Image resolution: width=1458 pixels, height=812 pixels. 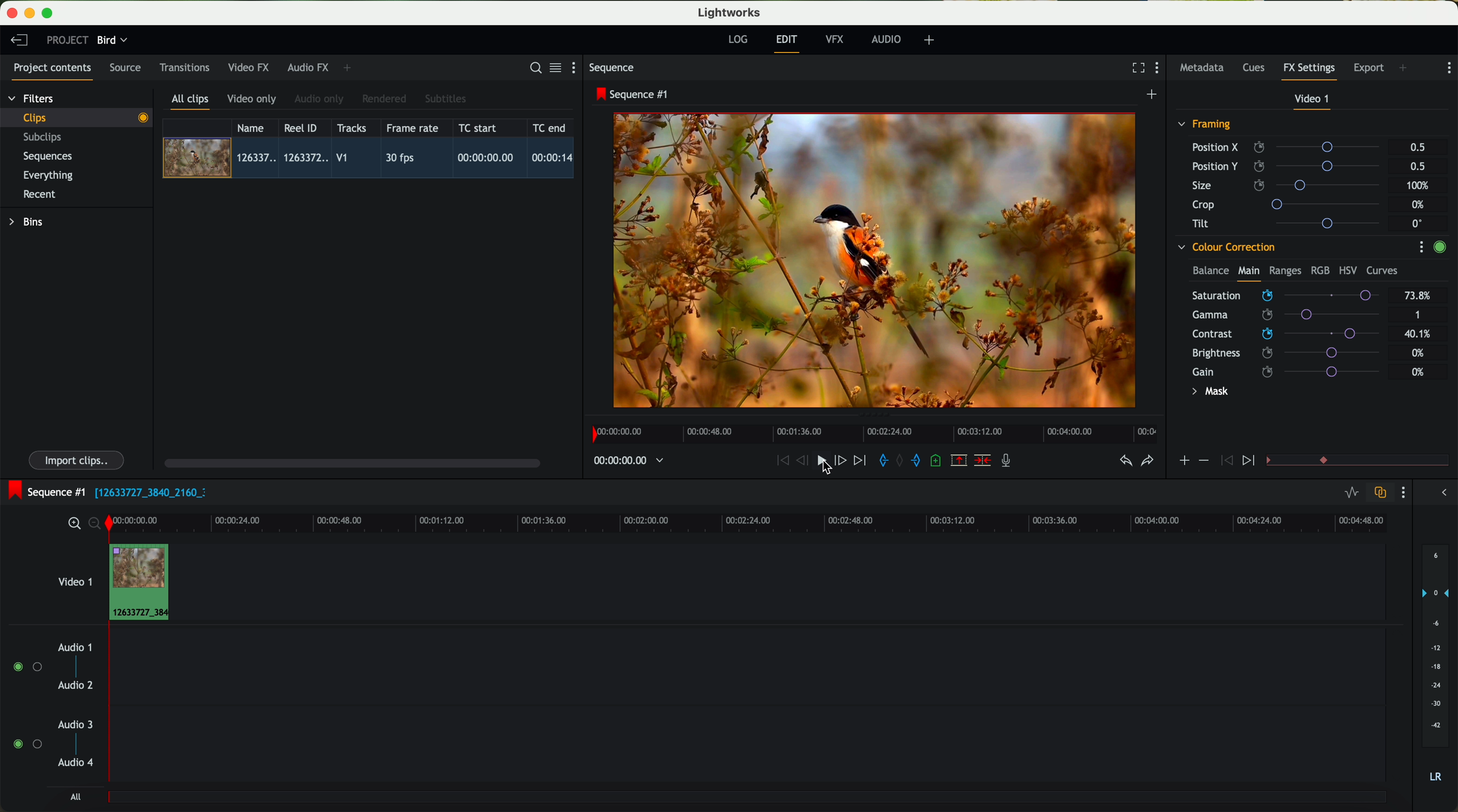 What do you see at coordinates (125, 68) in the screenshot?
I see `source` at bounding box center [125, 68].